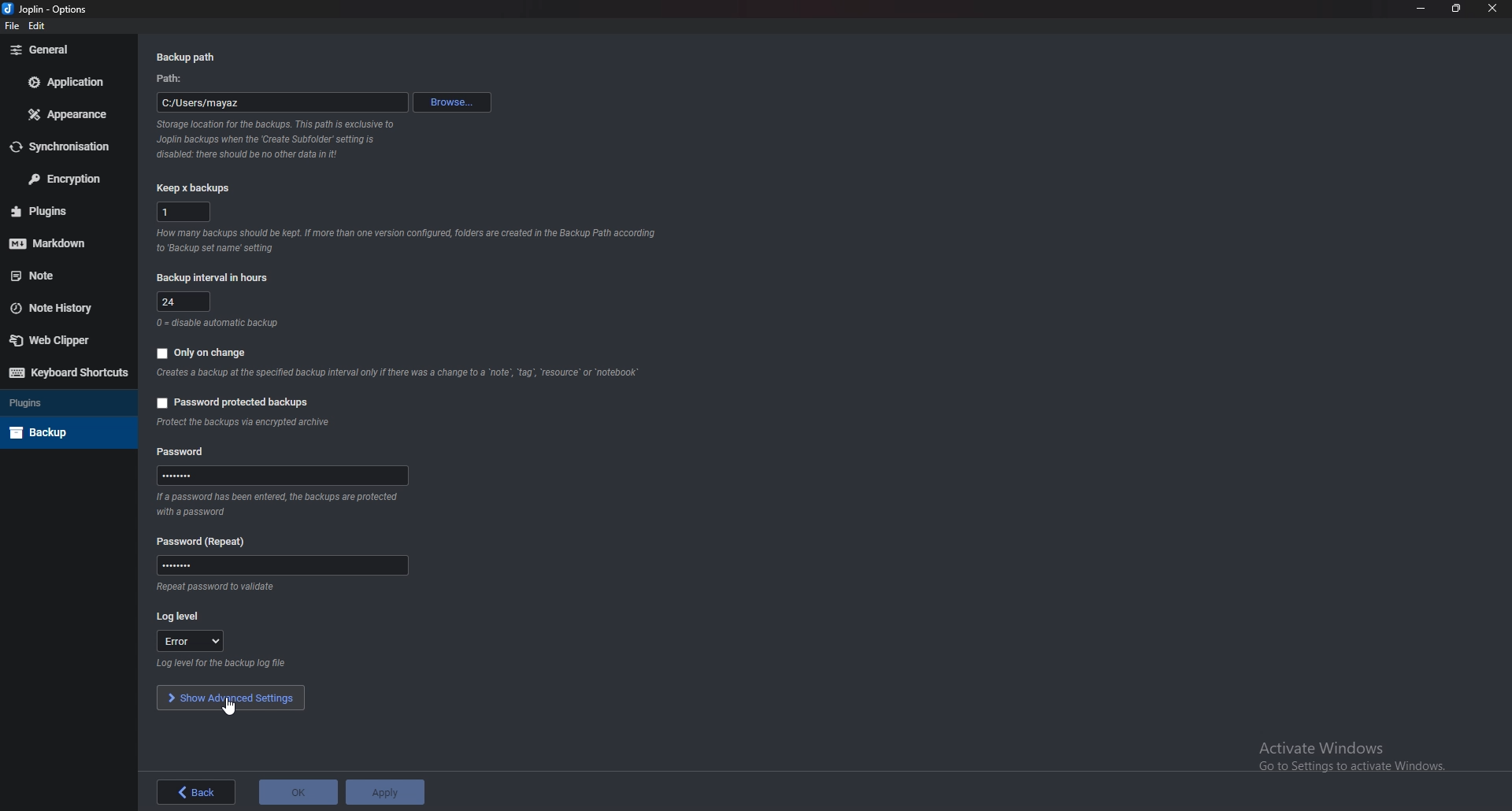  I want to click on 24 Hours, so click(184, 302).